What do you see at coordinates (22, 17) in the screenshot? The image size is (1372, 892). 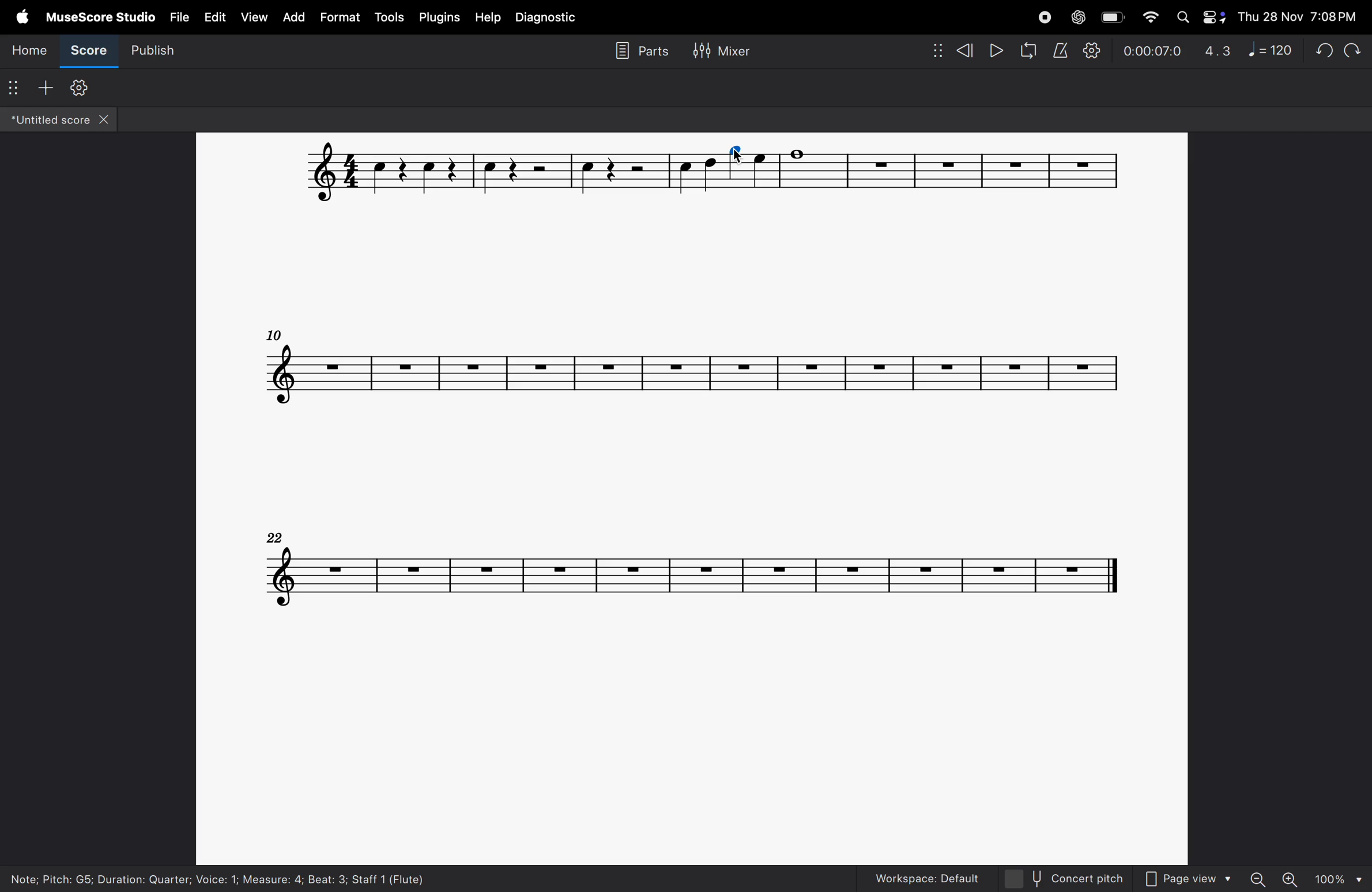 I see `apple menu` at bounding box center [22, 17].